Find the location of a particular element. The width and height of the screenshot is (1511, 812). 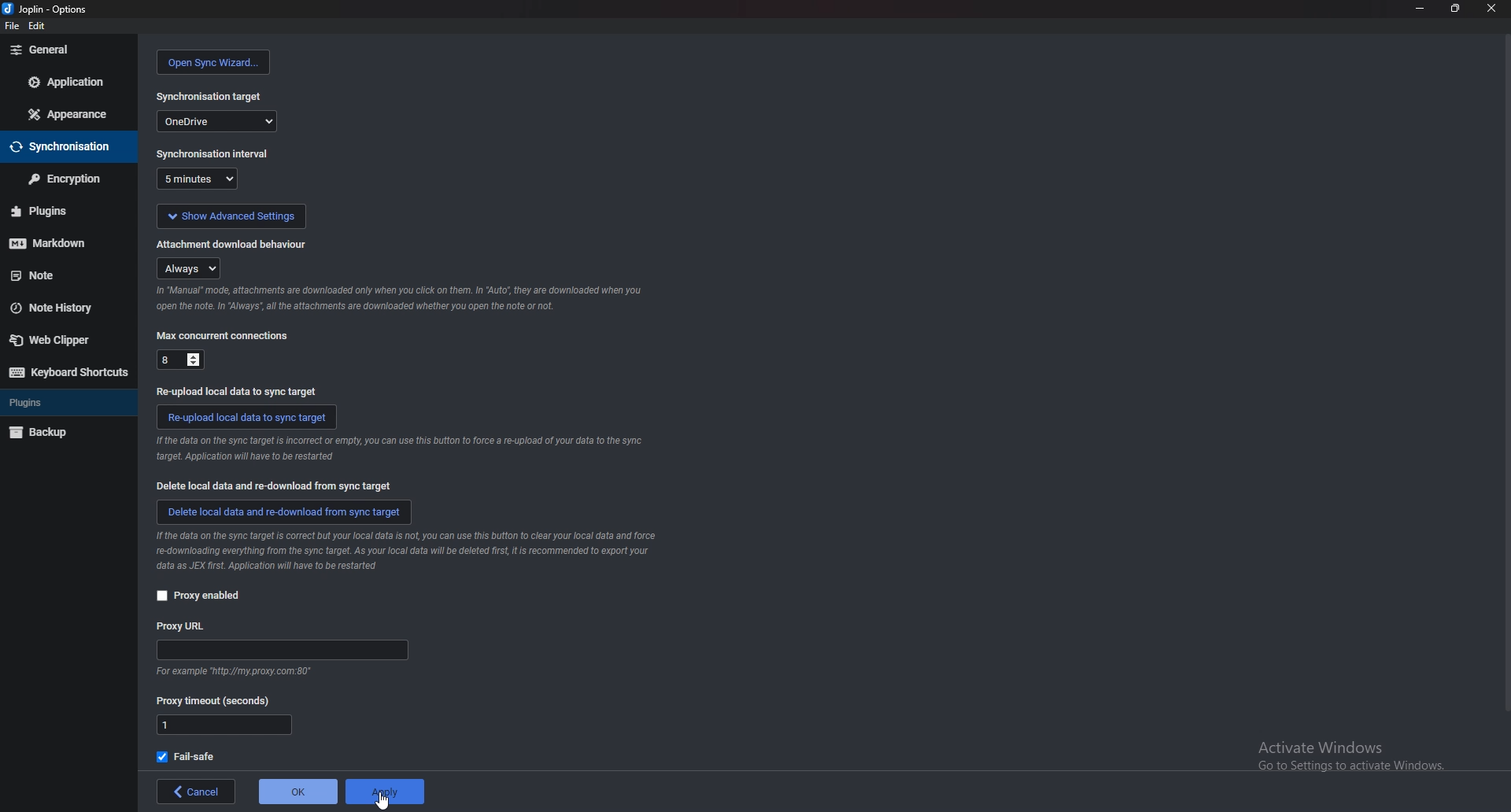

reupload local disk is located at coordinates (239, 392).